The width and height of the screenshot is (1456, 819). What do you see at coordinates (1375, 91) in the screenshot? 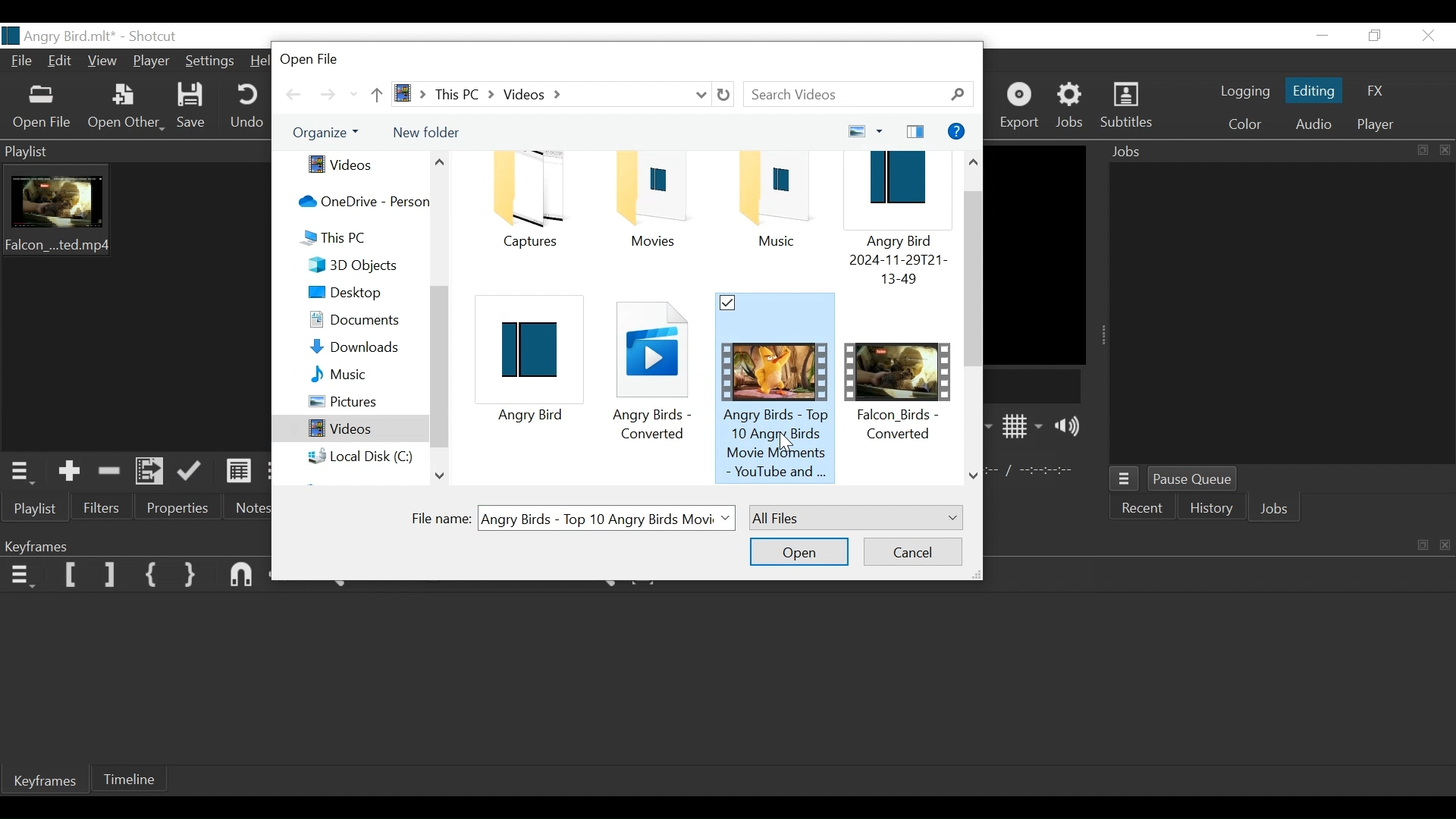
I see `FX` at bounding box center [1375, 91].